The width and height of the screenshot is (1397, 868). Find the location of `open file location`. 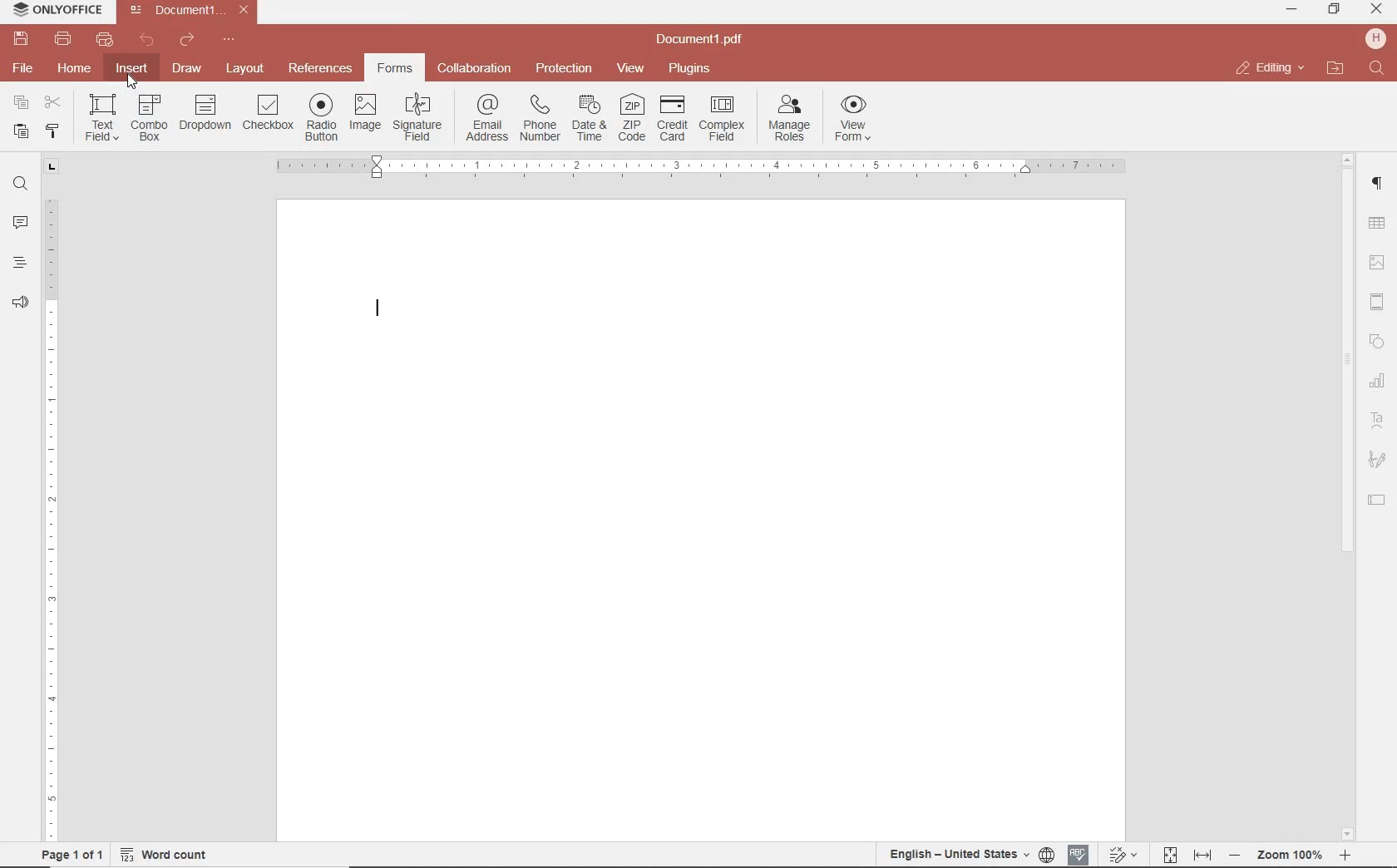

open file location is located at coordinates (1335, 69).